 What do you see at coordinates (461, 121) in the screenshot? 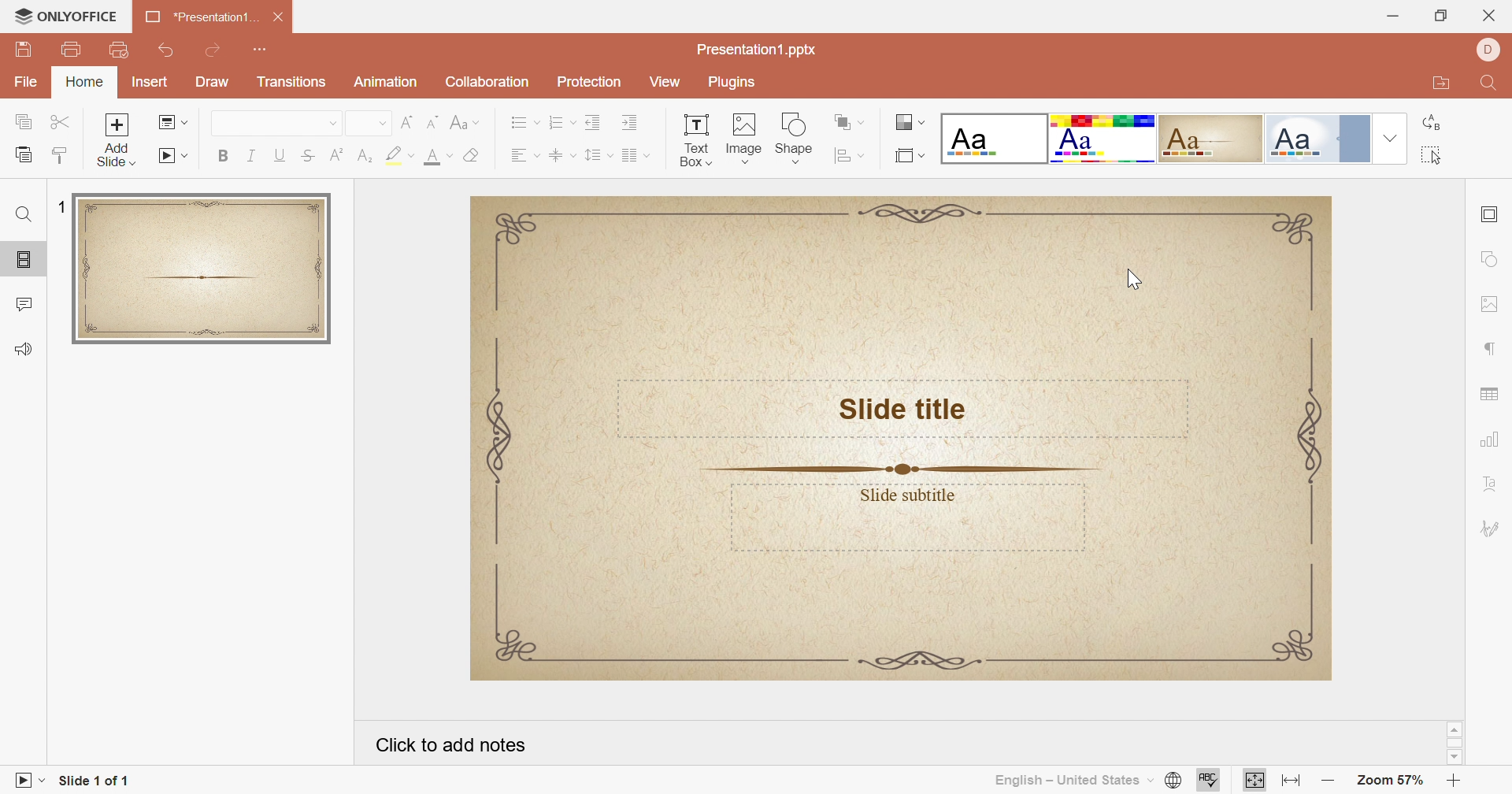
I see `Change case` at bounding box center [461, 121].